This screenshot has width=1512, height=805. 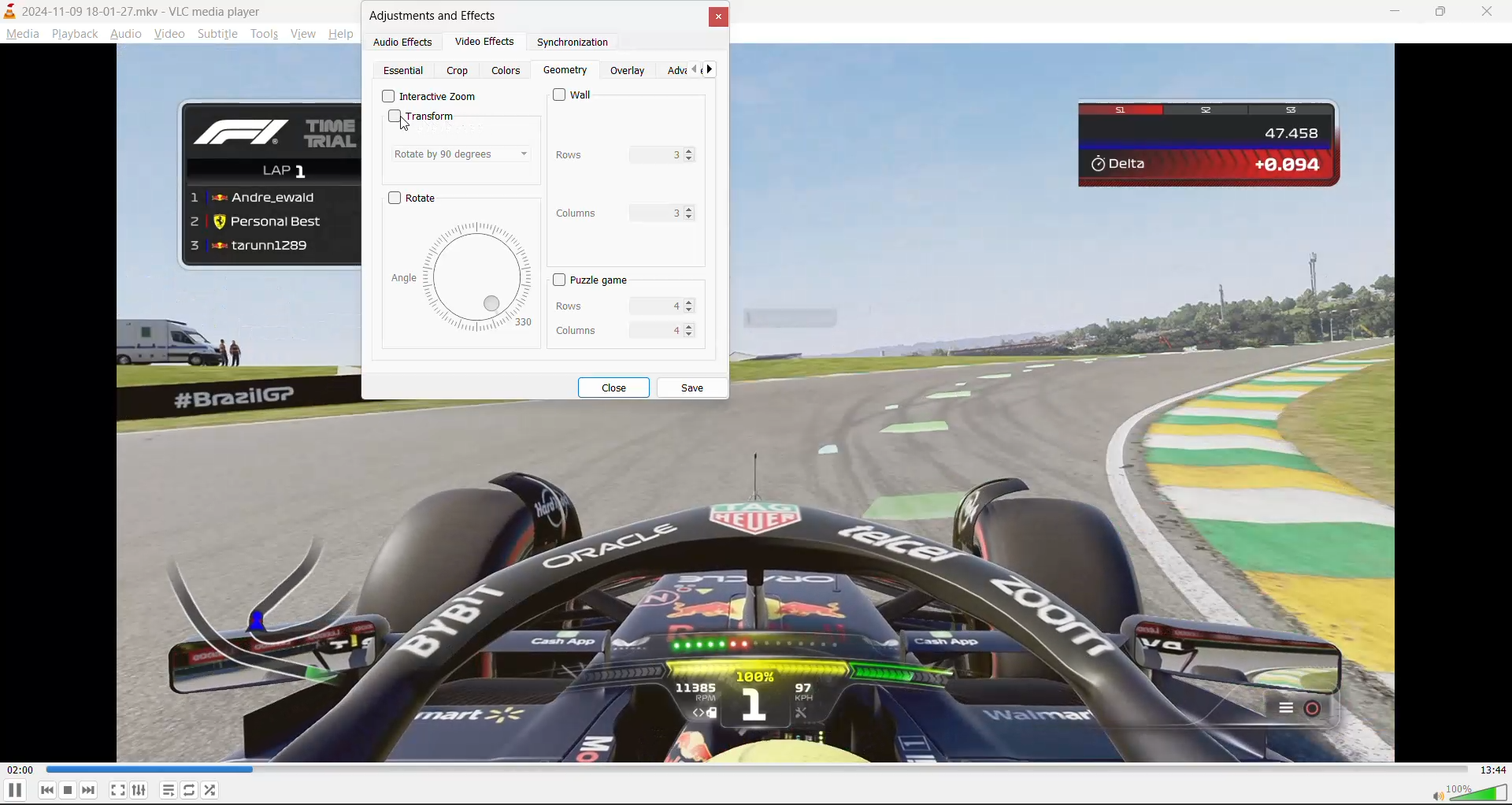 I want to click on Increase, so click(x=689, y=325).